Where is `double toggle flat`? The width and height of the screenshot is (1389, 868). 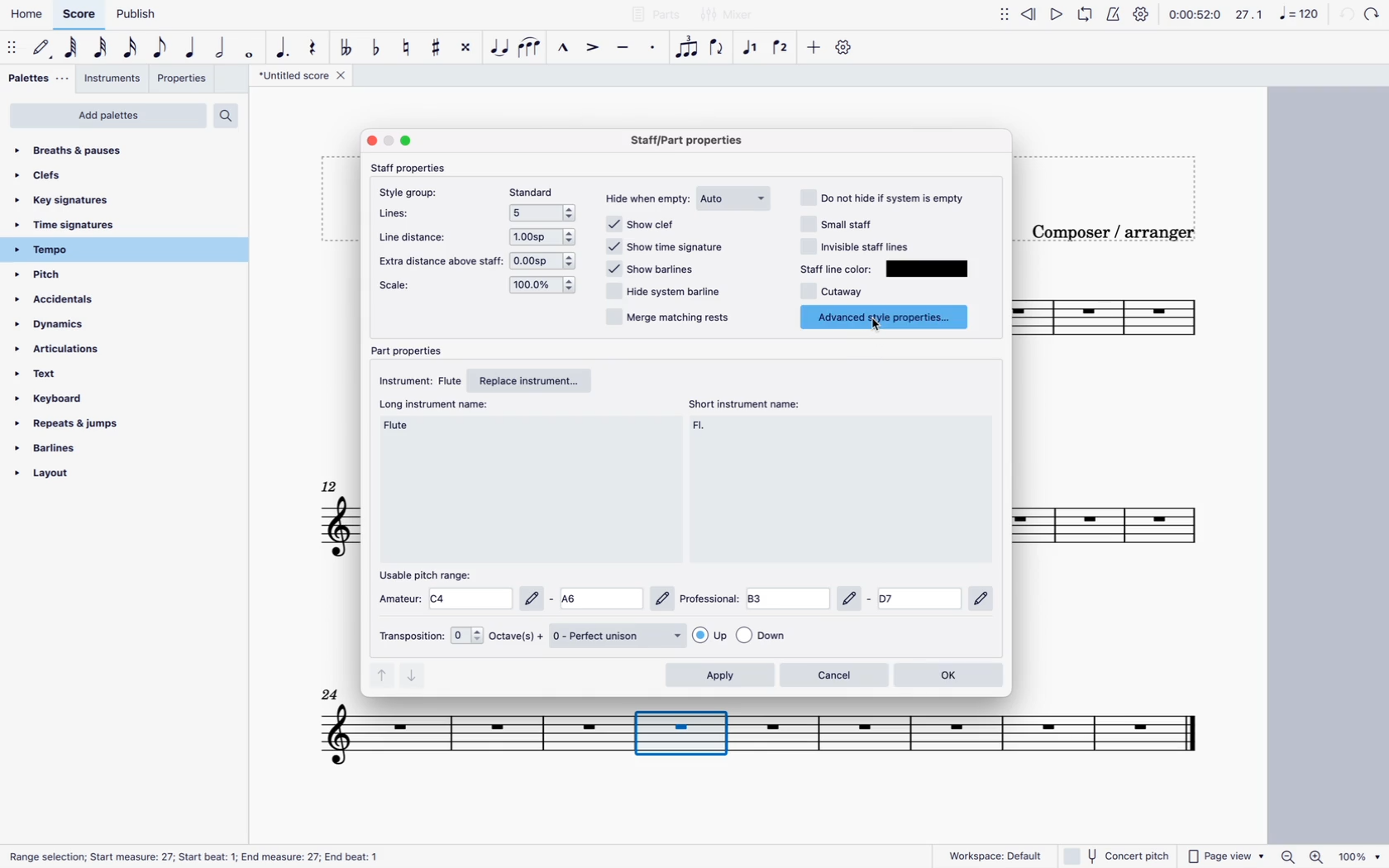
double toggle flat is located at coordinates (346, 48).